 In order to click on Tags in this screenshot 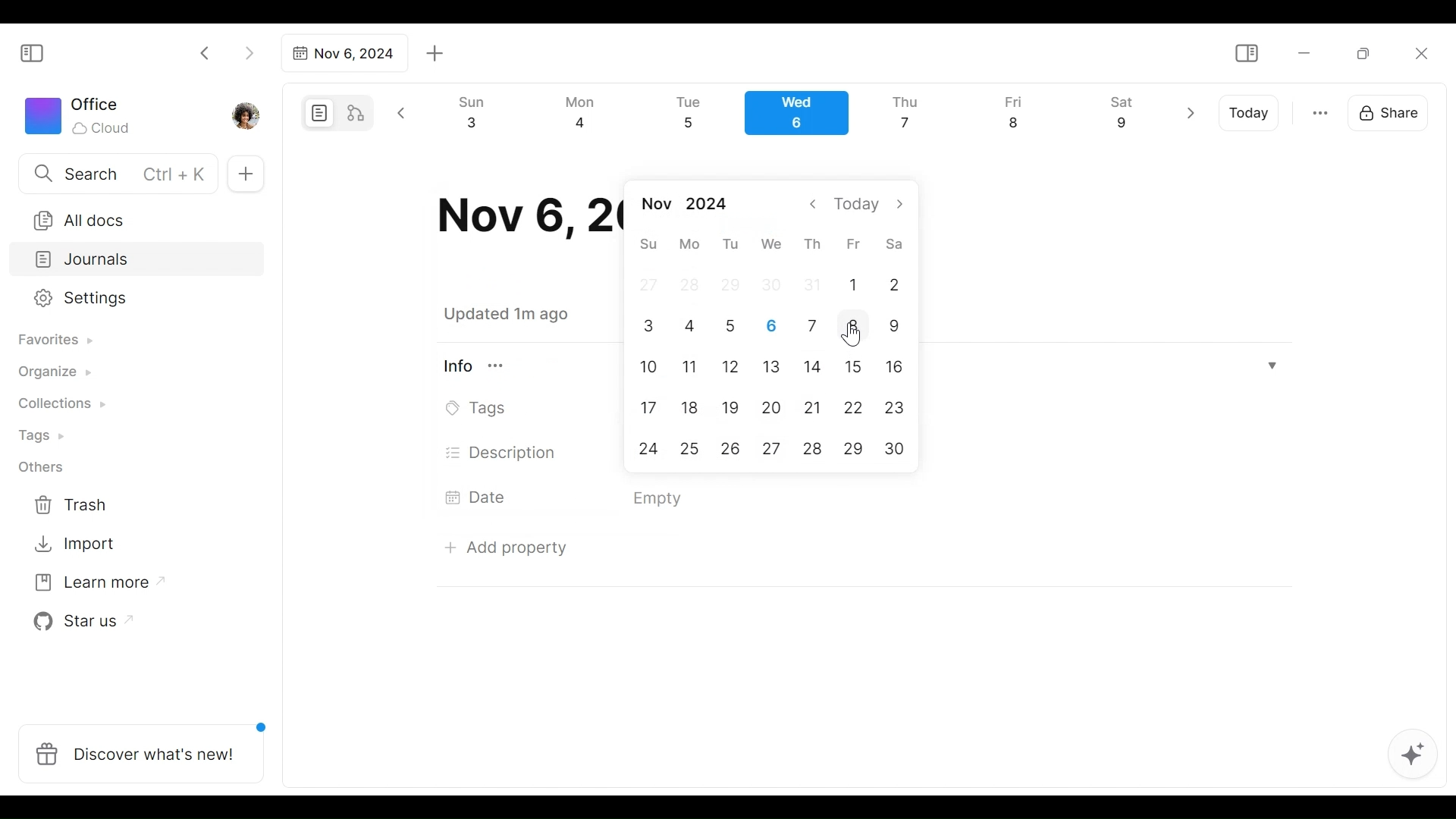, I will do `click(43, 438)`.